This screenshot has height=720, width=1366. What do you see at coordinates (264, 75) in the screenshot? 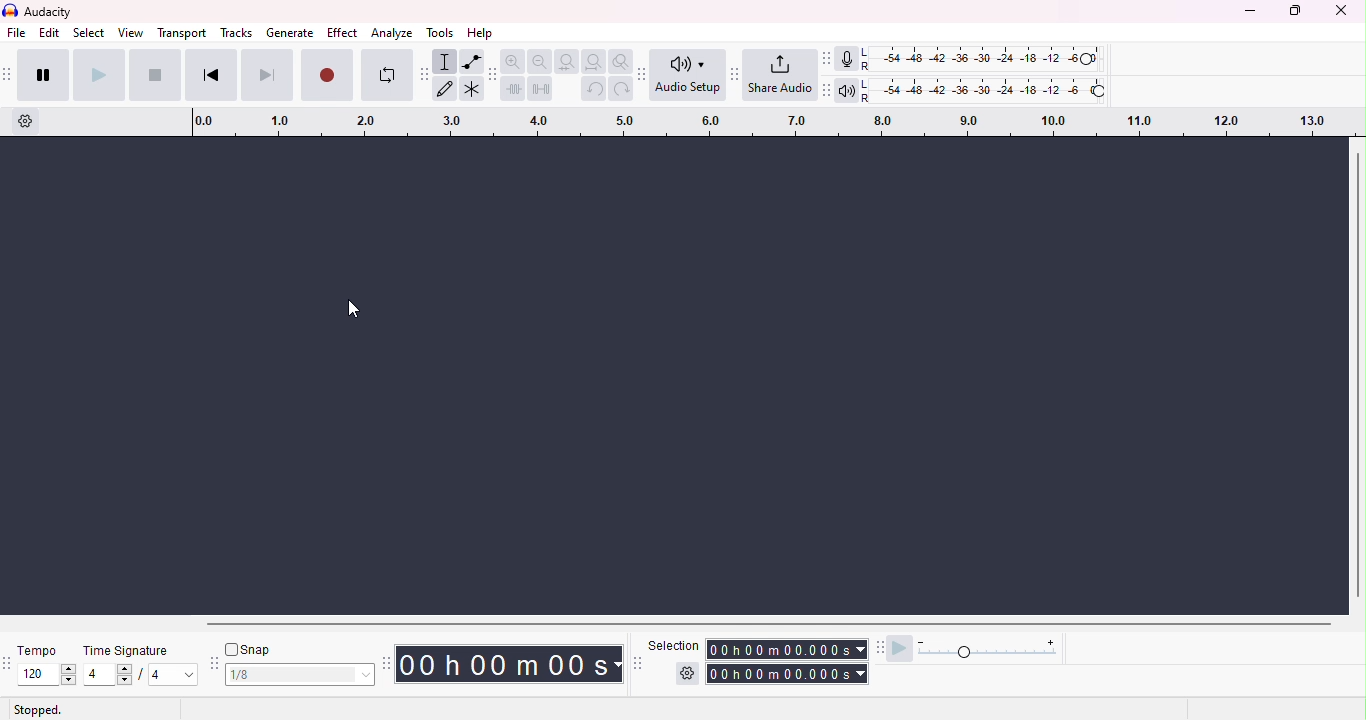
I see `next` at bounding box center [264, 75].